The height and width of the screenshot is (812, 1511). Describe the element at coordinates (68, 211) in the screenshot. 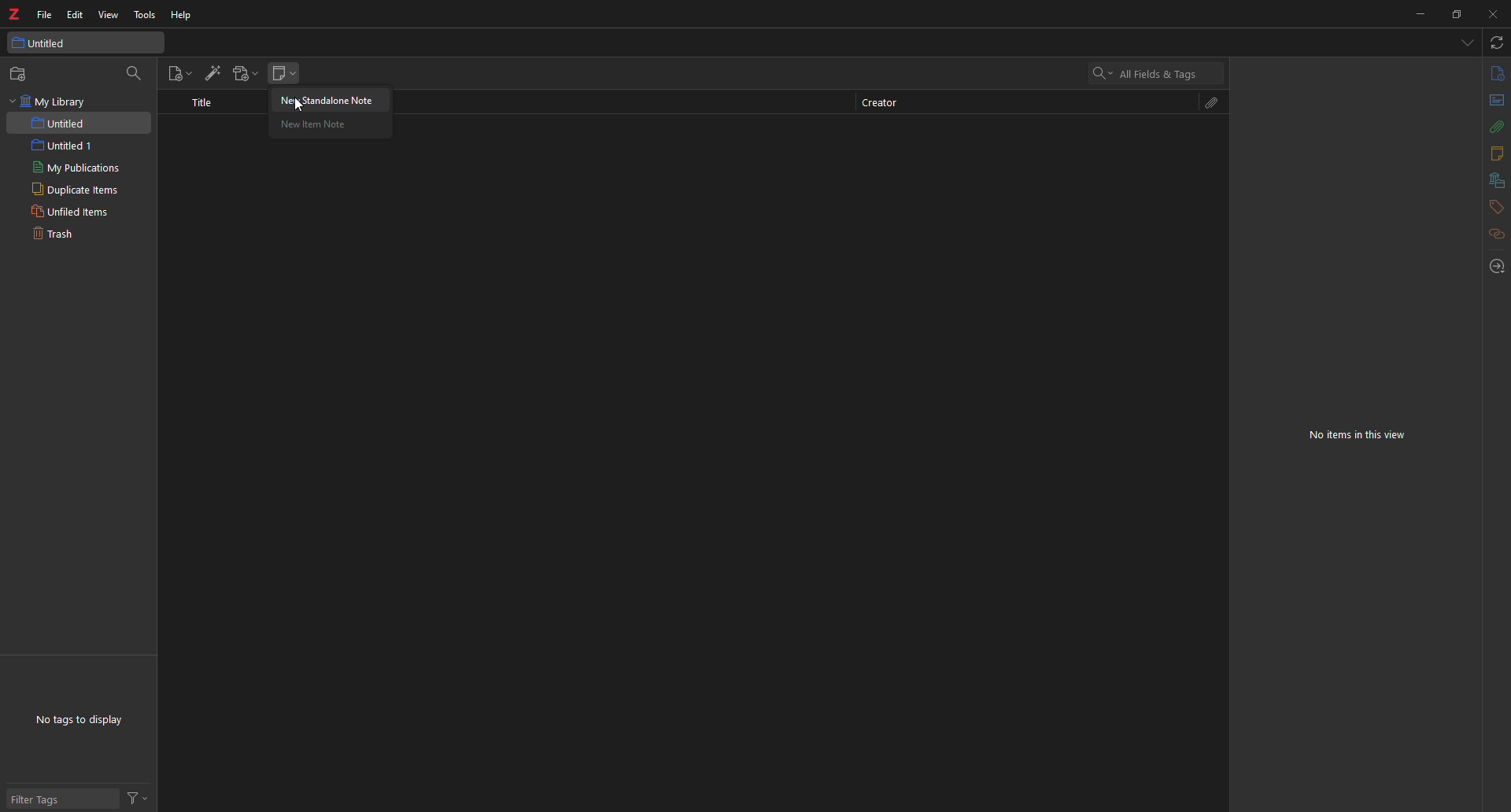

I see `unfiled items` at that location.